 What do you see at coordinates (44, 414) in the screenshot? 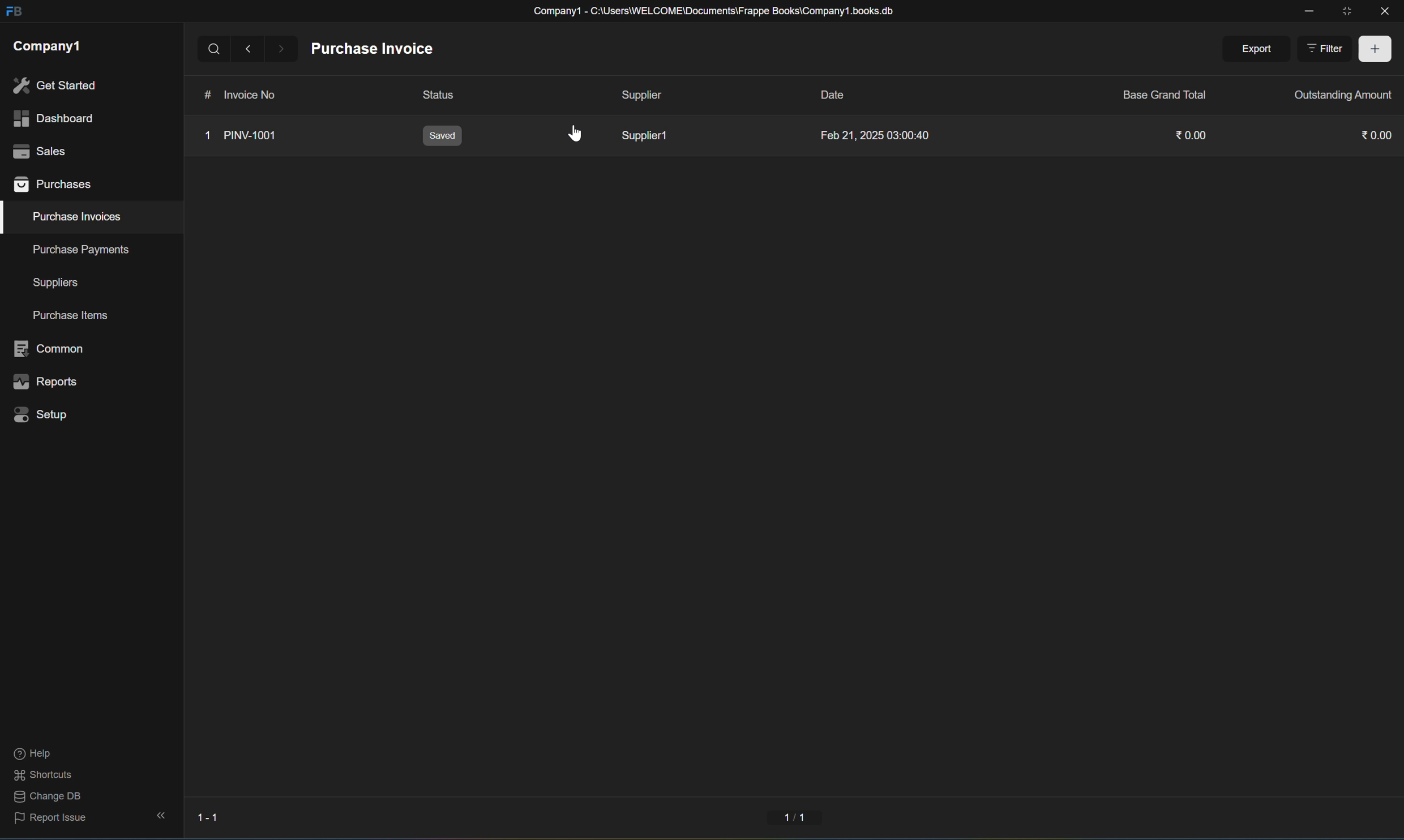
I see `setup` at bounding box center [44, 414].